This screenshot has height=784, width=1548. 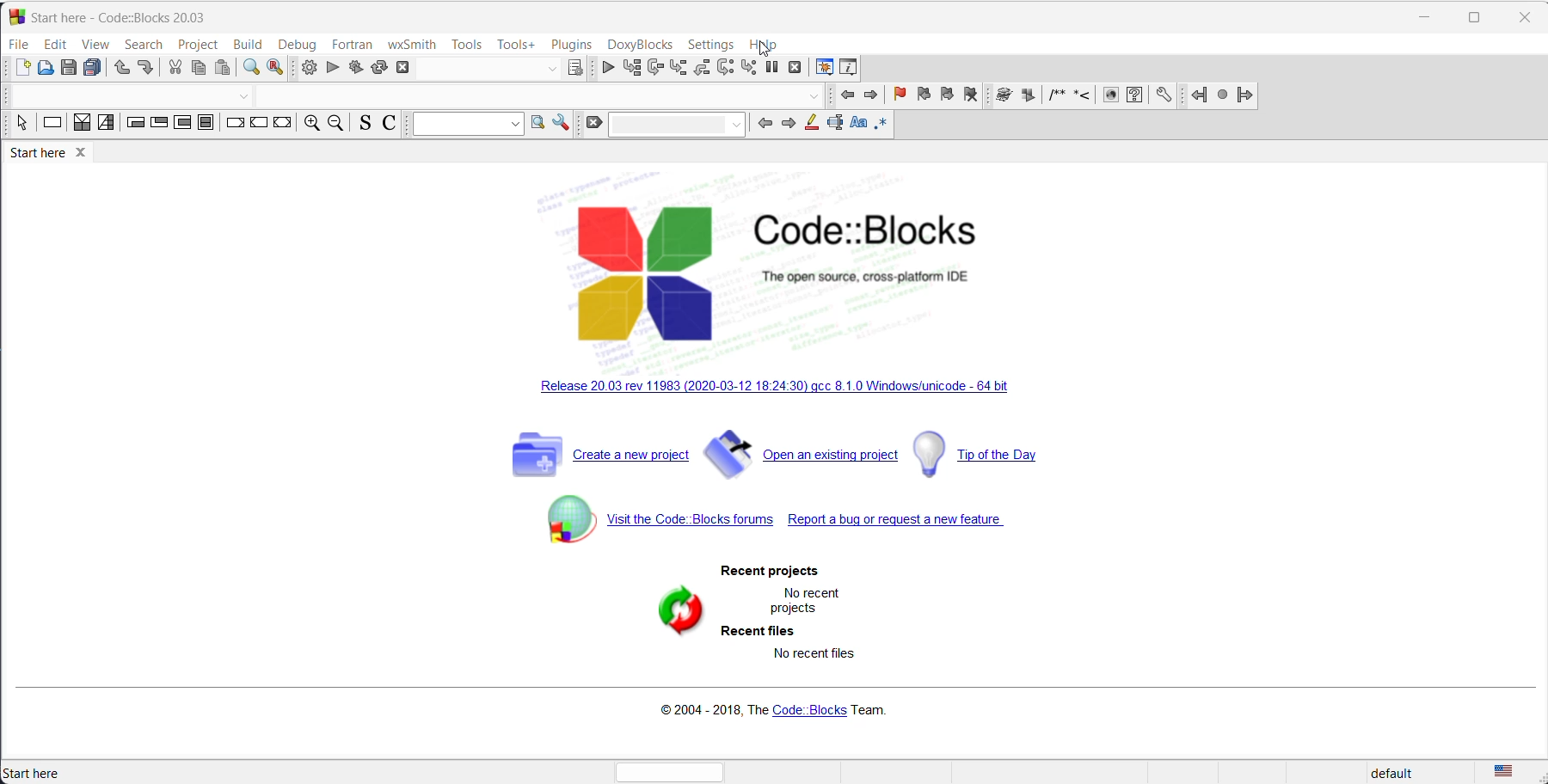 I want to click on toggle comments , so click(x=389, y=125).